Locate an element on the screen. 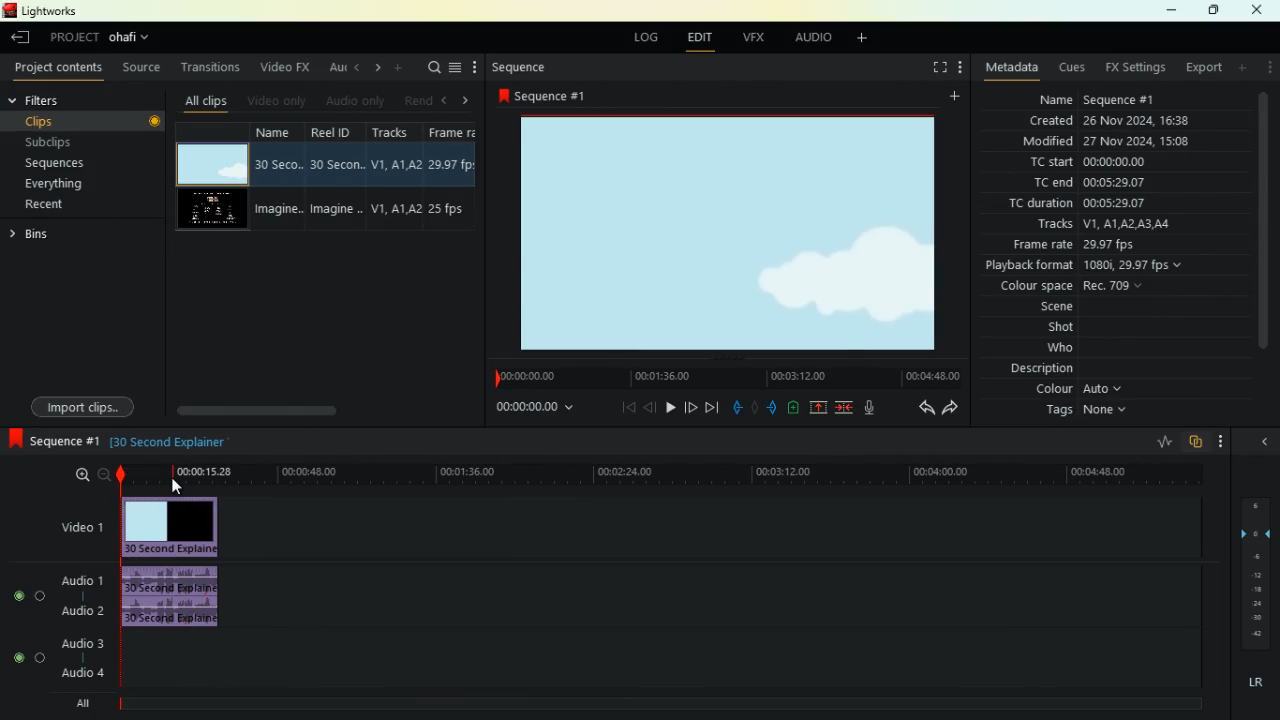  26 Nov 2024 16:38 is located at coordinates (1141, 121).